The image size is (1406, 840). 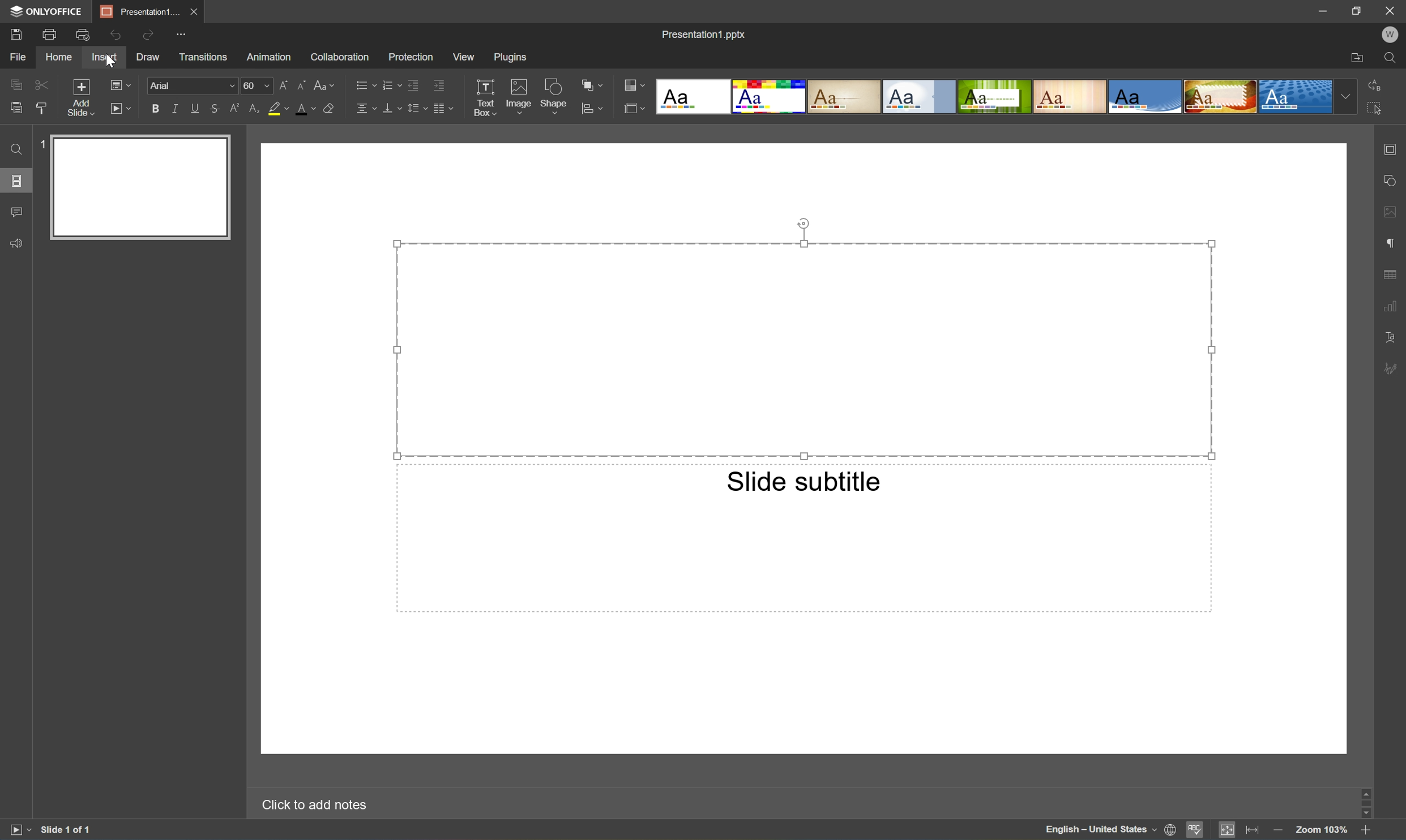 What do you see at coordinates (1391, 243) in the screenshot?
I see `Paragraph settings` at bounding box center [1391, 243].